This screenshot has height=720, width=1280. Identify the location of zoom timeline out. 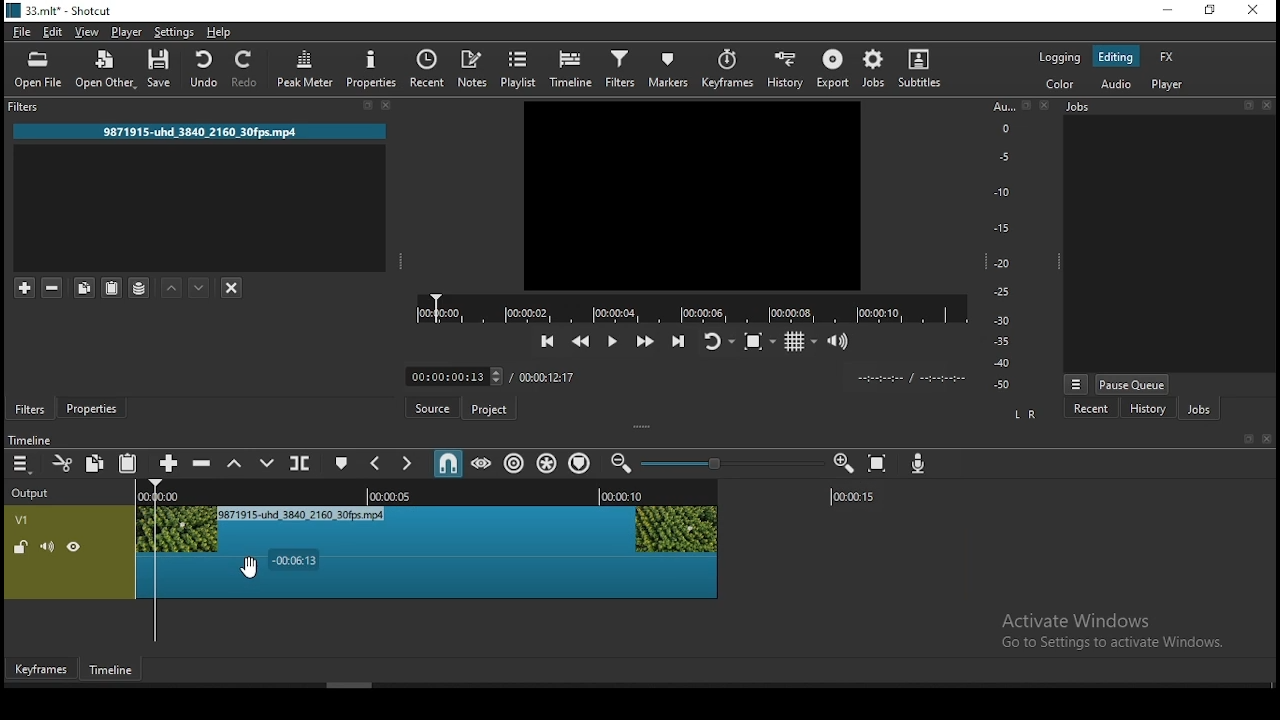
(618, 464).